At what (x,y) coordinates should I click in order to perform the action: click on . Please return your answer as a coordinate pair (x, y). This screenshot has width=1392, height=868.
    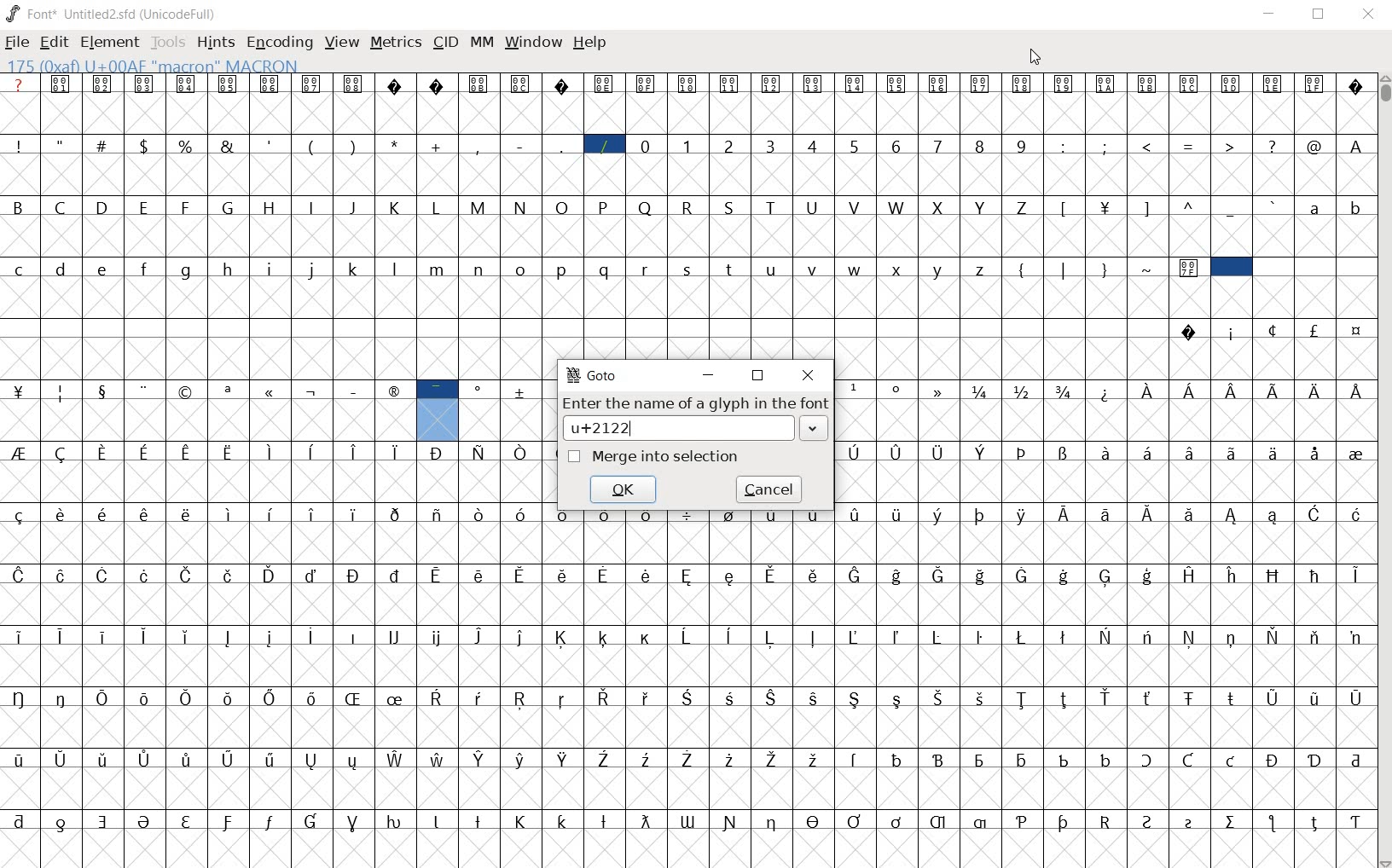
    Looking at the image, I should click on (1105, 412).